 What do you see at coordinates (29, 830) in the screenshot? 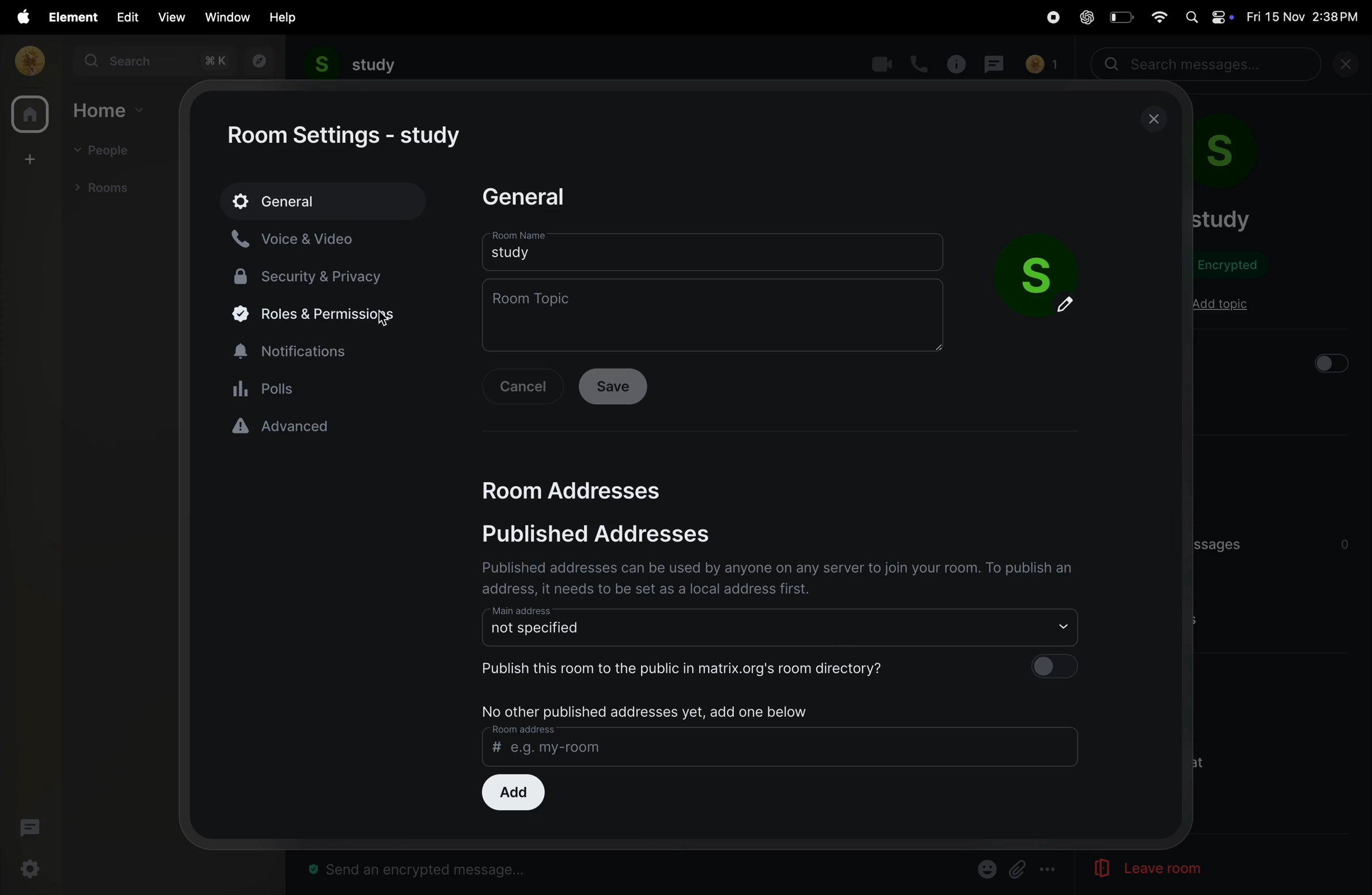
I see `threads` at bounding box center [29, 830].